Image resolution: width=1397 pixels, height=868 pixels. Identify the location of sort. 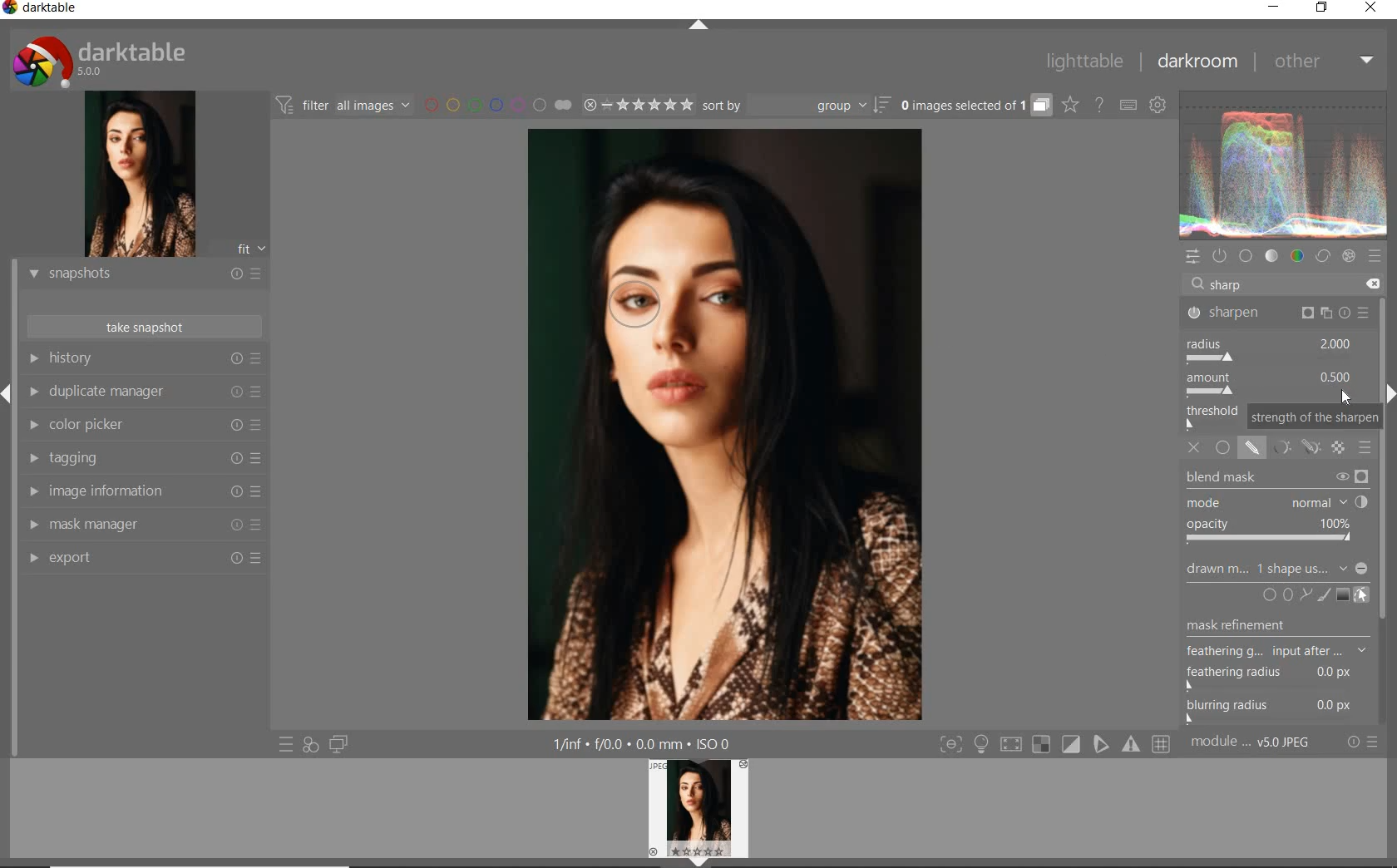
(797, 105).